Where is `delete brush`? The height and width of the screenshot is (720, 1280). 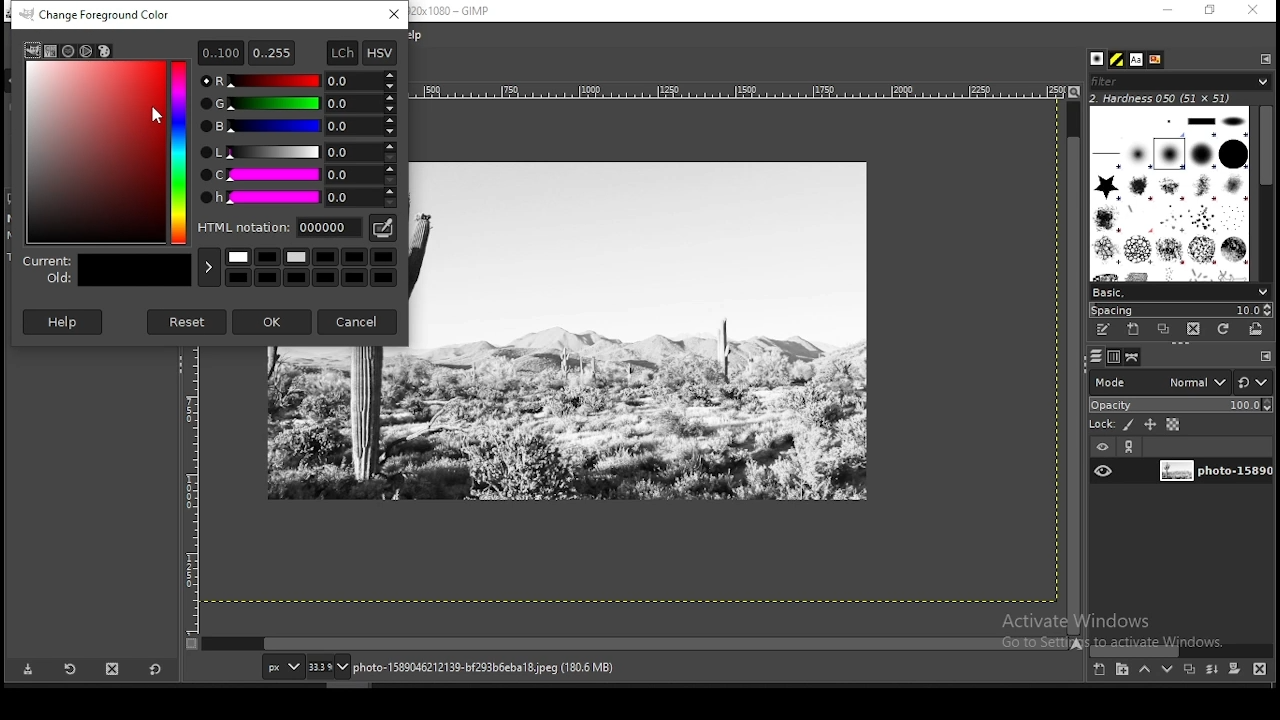
delete brush is located at coordinates (1193, 330).